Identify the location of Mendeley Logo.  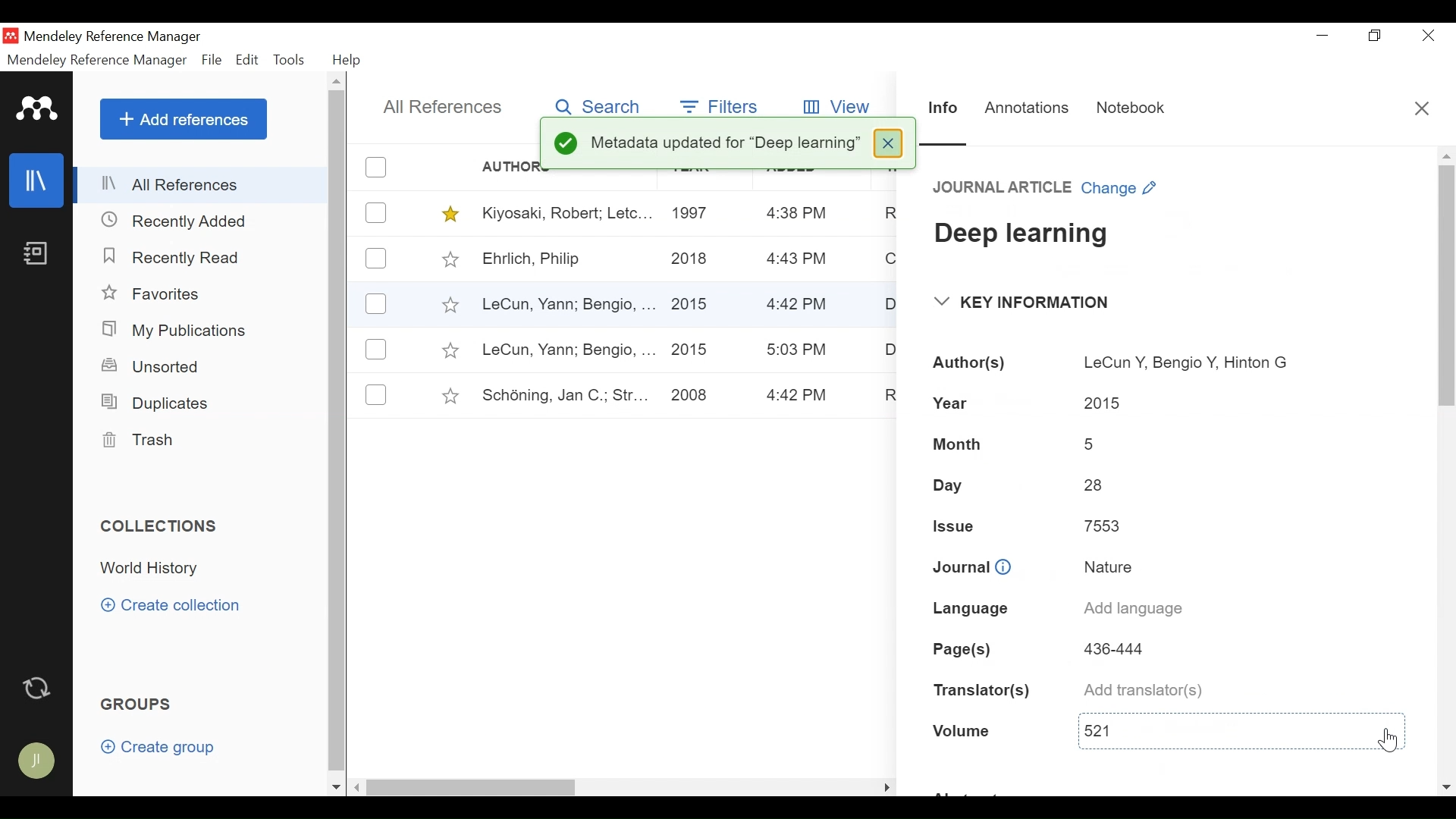
(37, 111).